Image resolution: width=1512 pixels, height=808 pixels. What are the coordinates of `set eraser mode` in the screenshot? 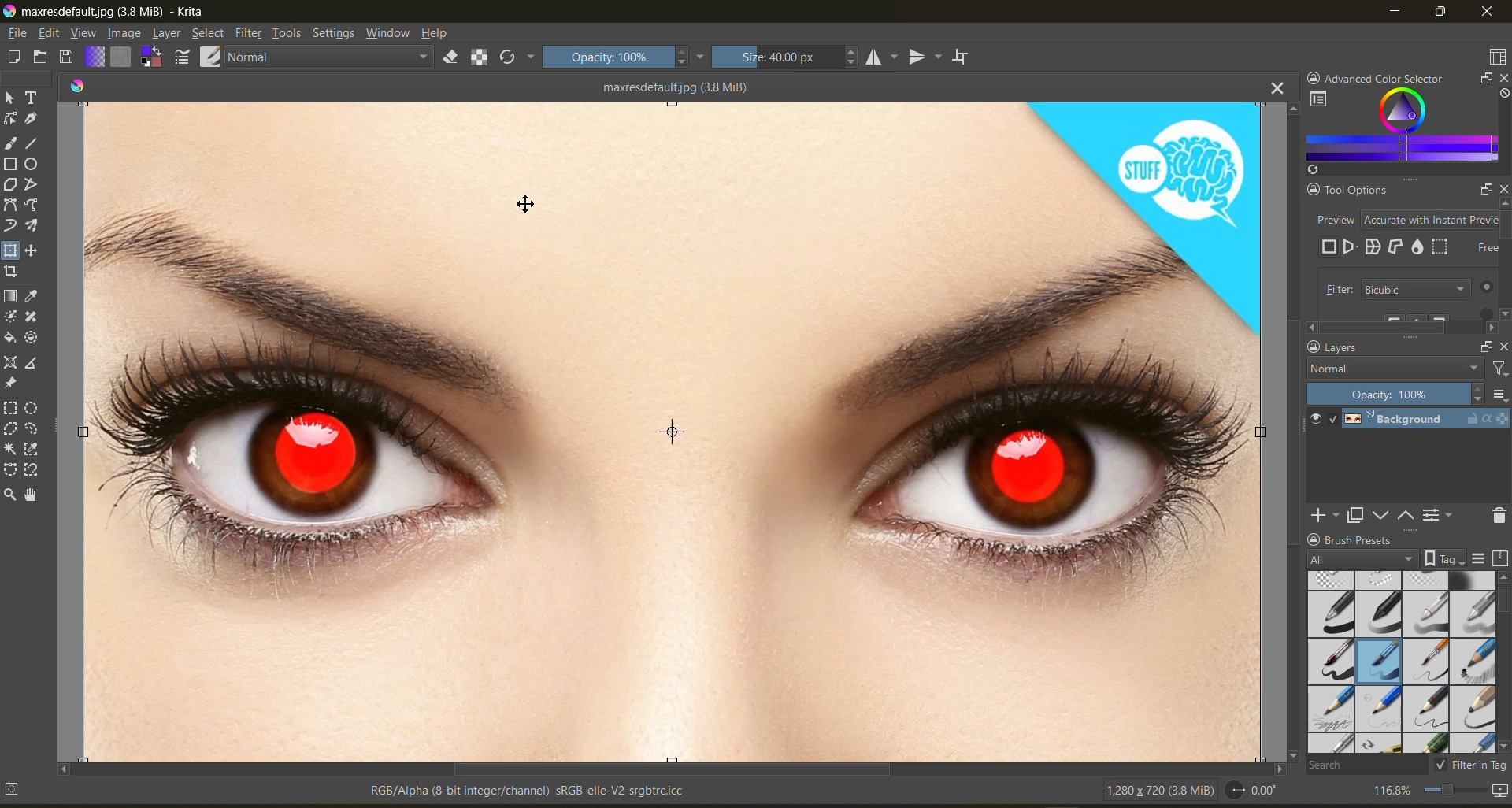 It's located at (458, 58).